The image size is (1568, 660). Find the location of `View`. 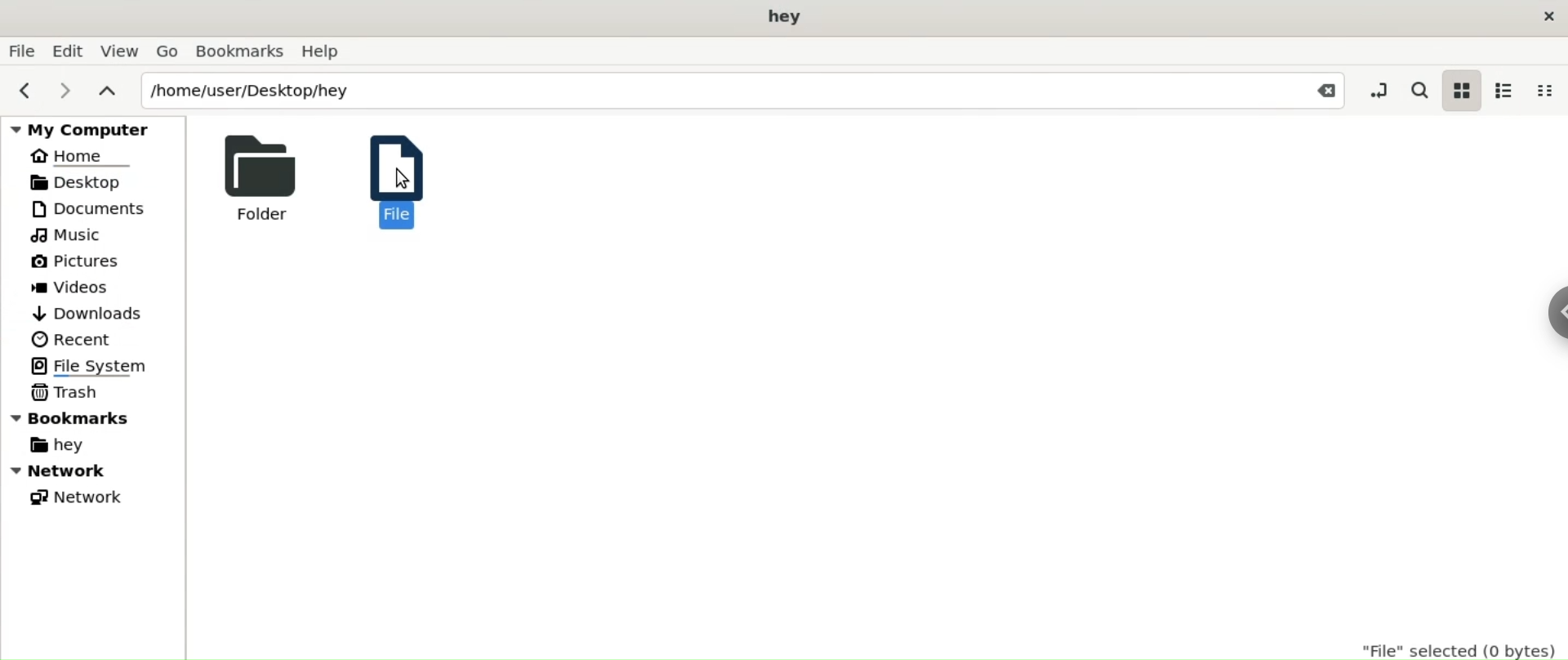

View is located at coordinates (121, 52).